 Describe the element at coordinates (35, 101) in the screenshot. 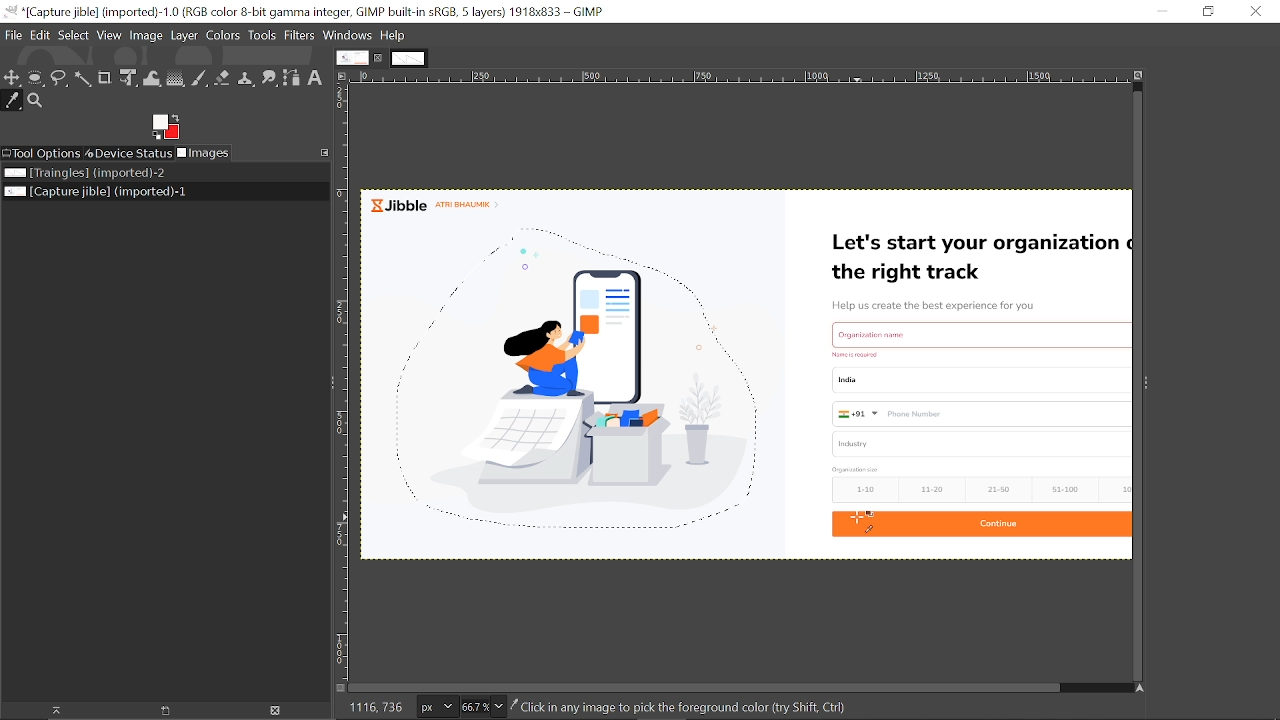

I see `Zoom tool` at that location.